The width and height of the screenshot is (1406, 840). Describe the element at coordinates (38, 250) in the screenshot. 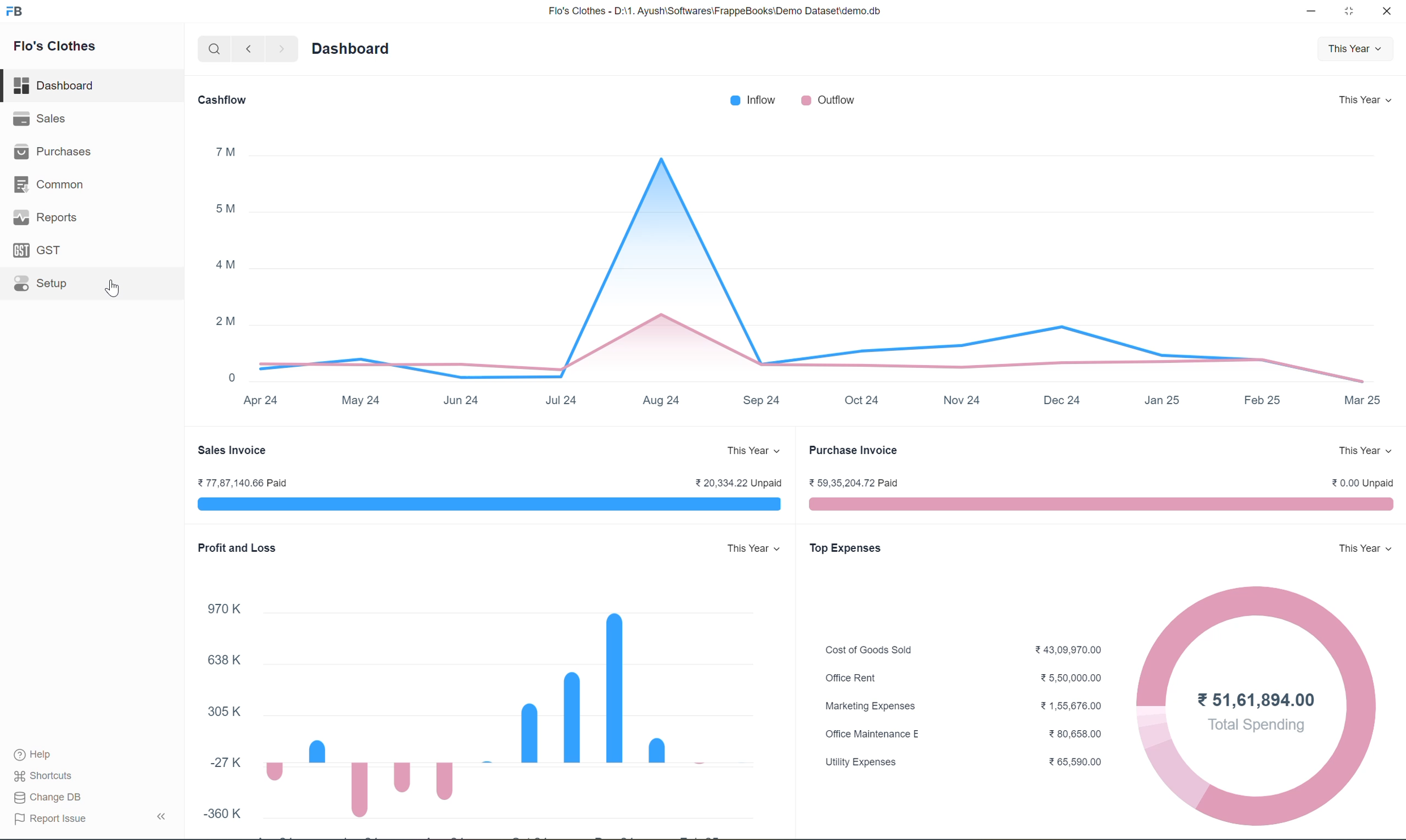

I see `GST` at that location.